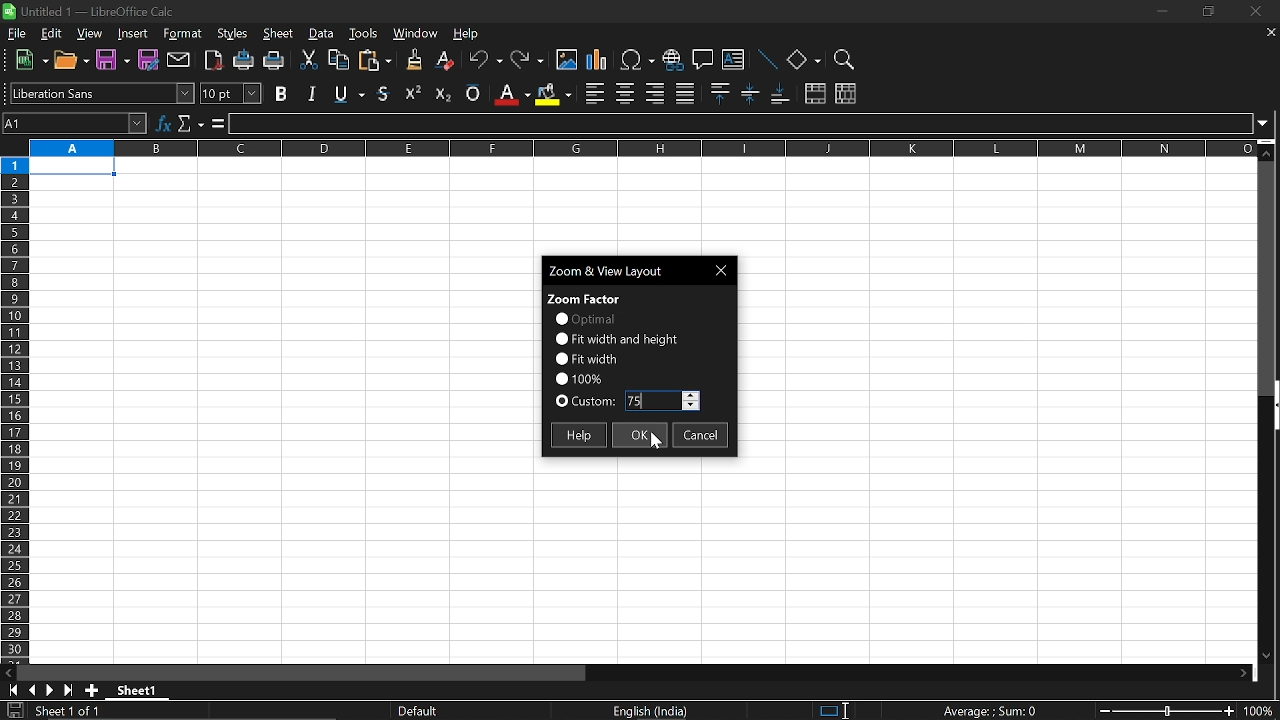  What do you see at coordinates (619, 338) in the screenshot?
I see `fit width and height` at bounding box center [619, 338].